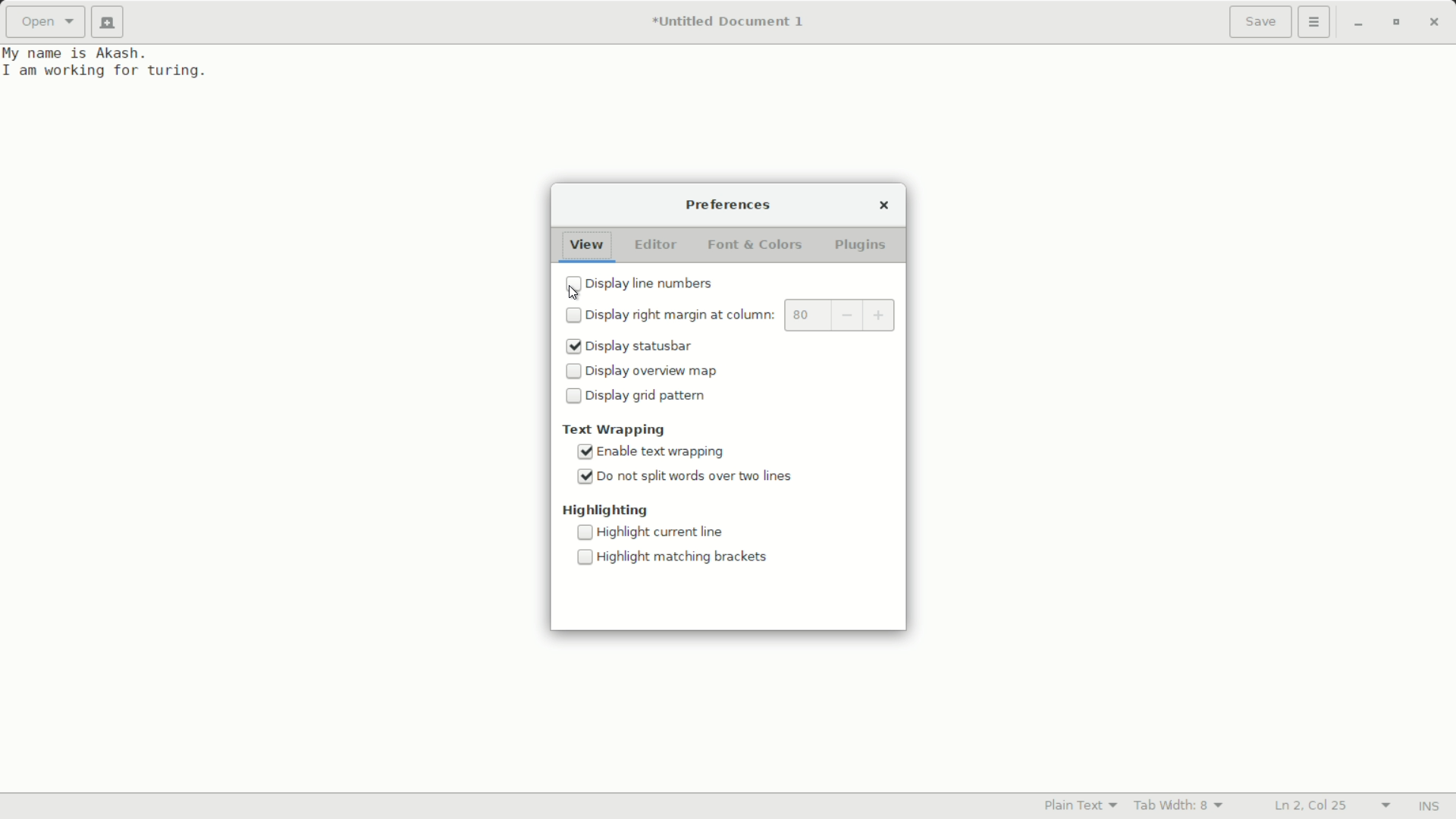 This screenshot has height=819, width=1456. What do you see at coordinates (881, 313) in the screenshot?
I see `inccrease` at bounding box center [881, 313].